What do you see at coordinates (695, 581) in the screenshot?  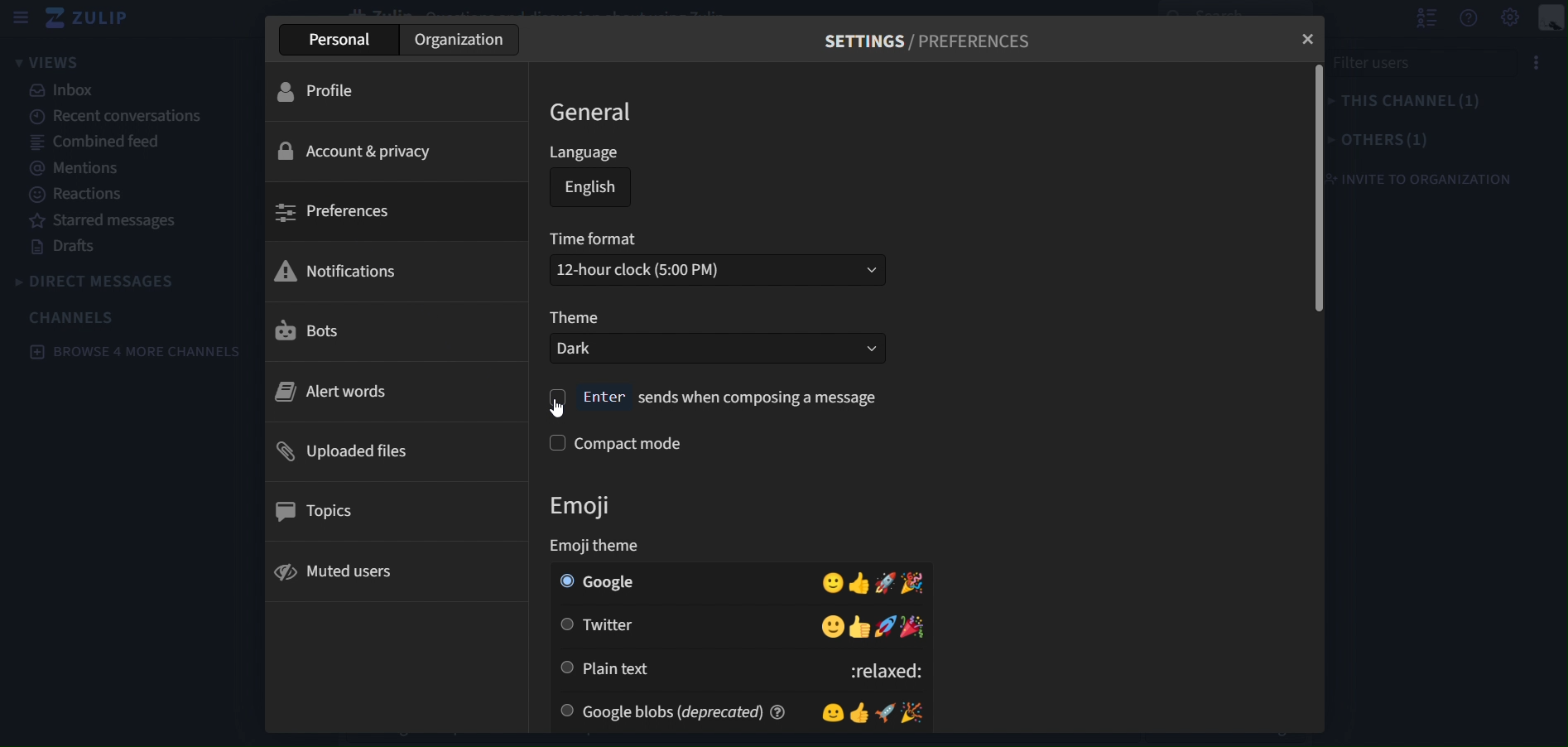 I see `Google` at bounding box center [695, 581].